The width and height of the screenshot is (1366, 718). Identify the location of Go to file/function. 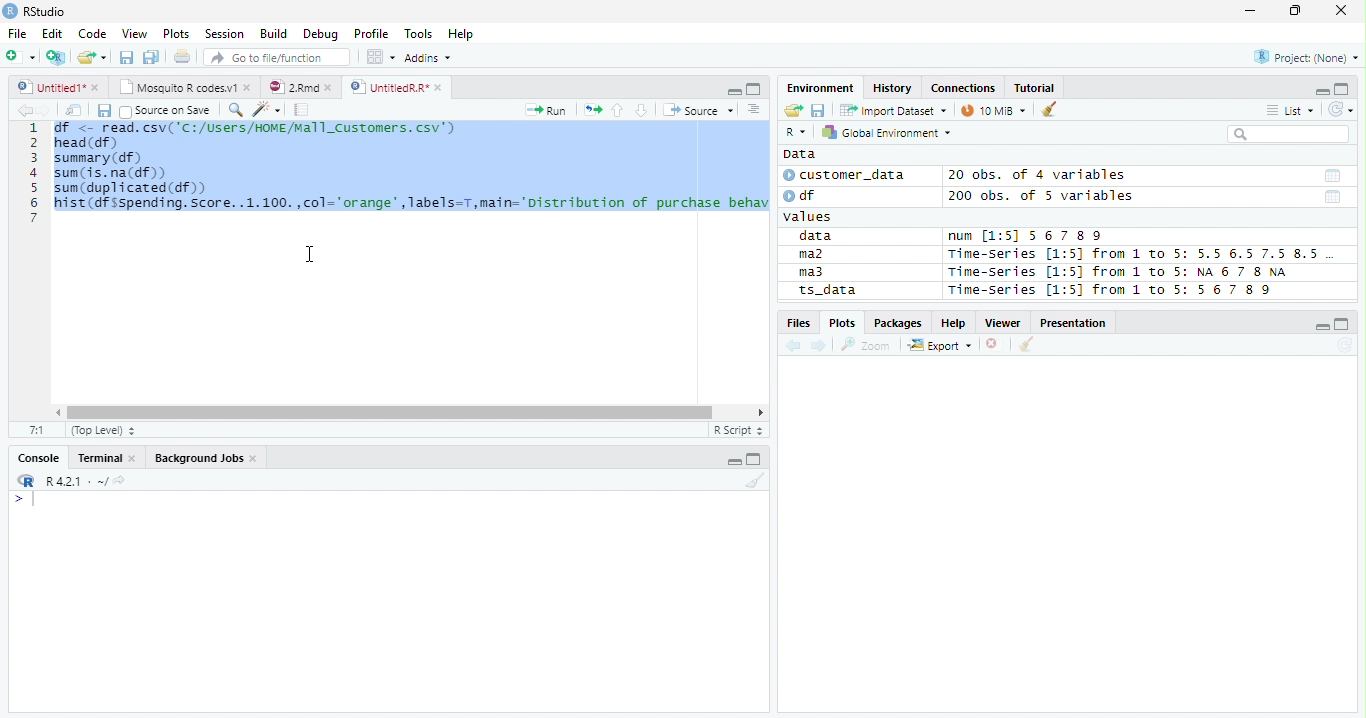
(274, 58).